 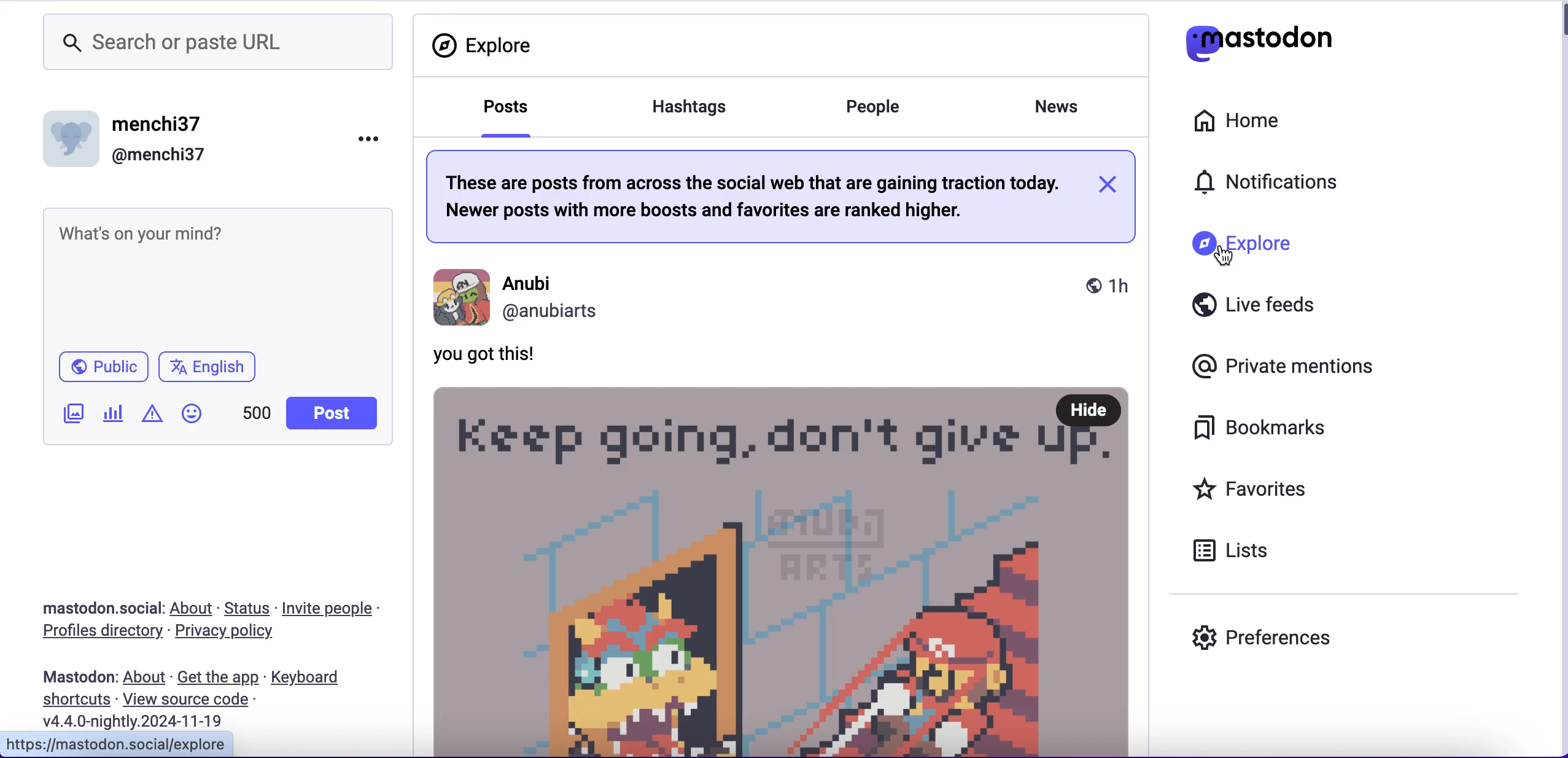 What do you see at coordinates (317, 676) in the screenshot?
I see `keyboard` at bounding box center [317, 676].